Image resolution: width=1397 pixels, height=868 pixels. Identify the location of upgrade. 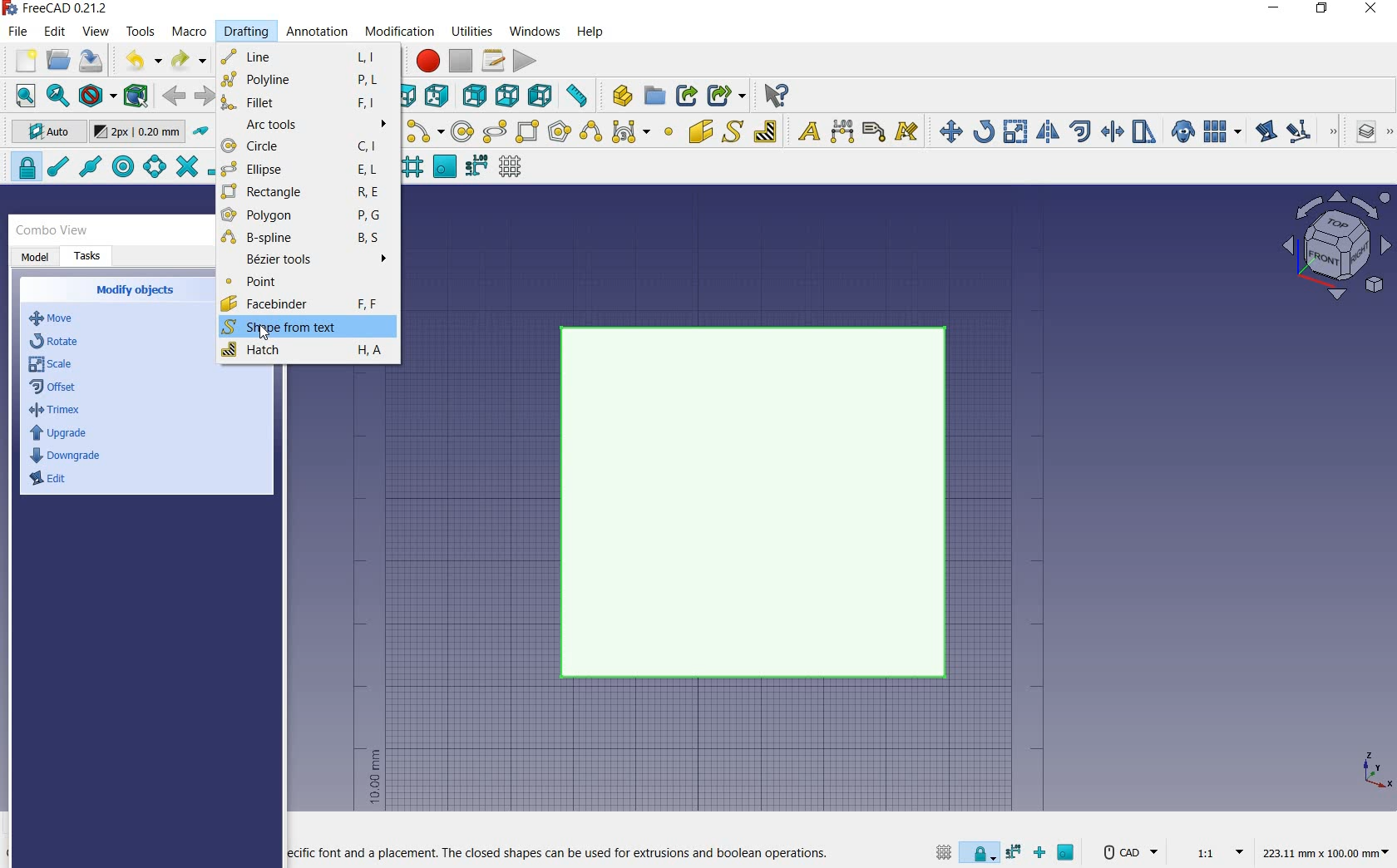
(58, 435).